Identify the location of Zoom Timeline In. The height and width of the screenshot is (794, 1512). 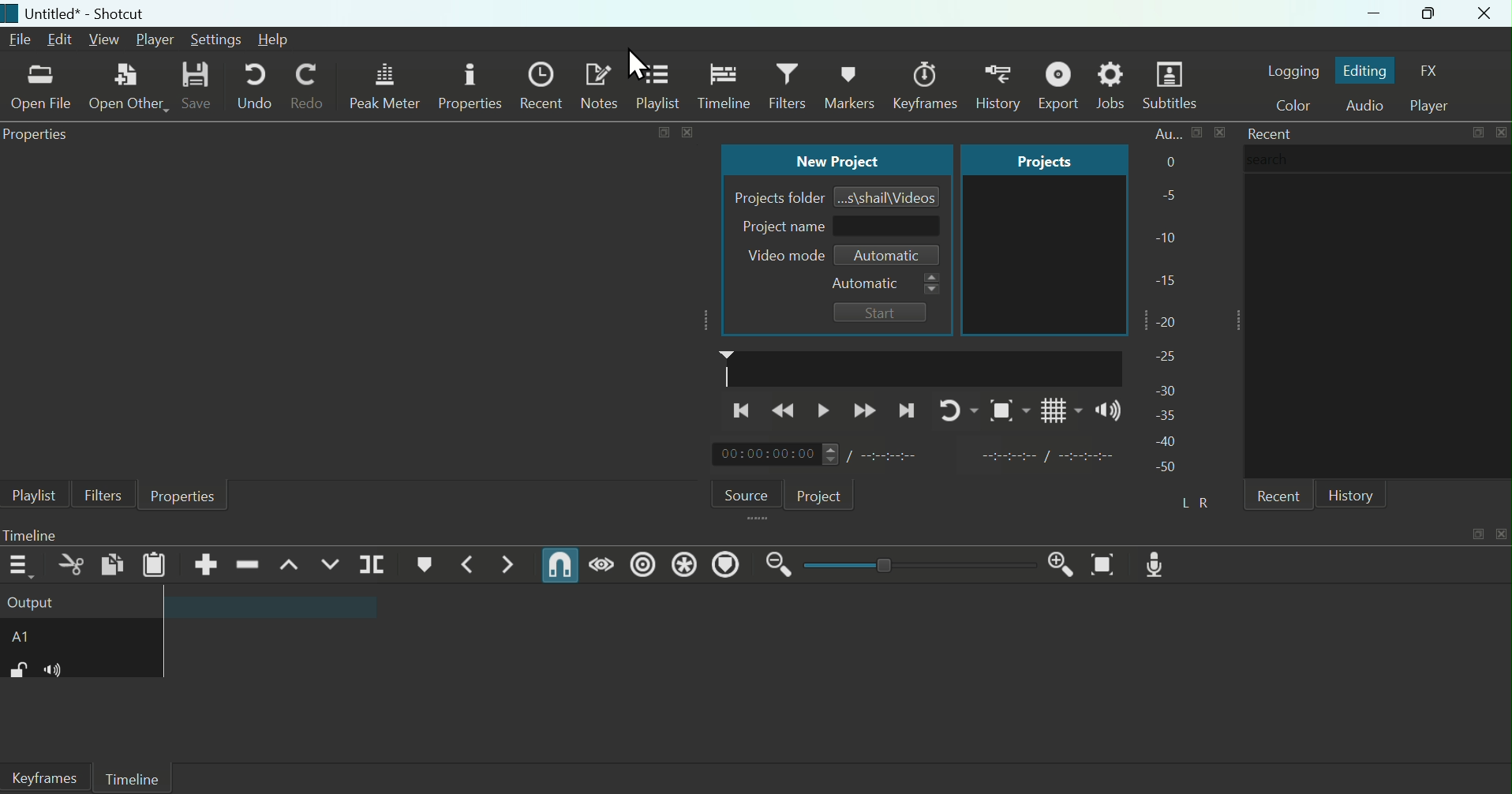
(1057, 564).